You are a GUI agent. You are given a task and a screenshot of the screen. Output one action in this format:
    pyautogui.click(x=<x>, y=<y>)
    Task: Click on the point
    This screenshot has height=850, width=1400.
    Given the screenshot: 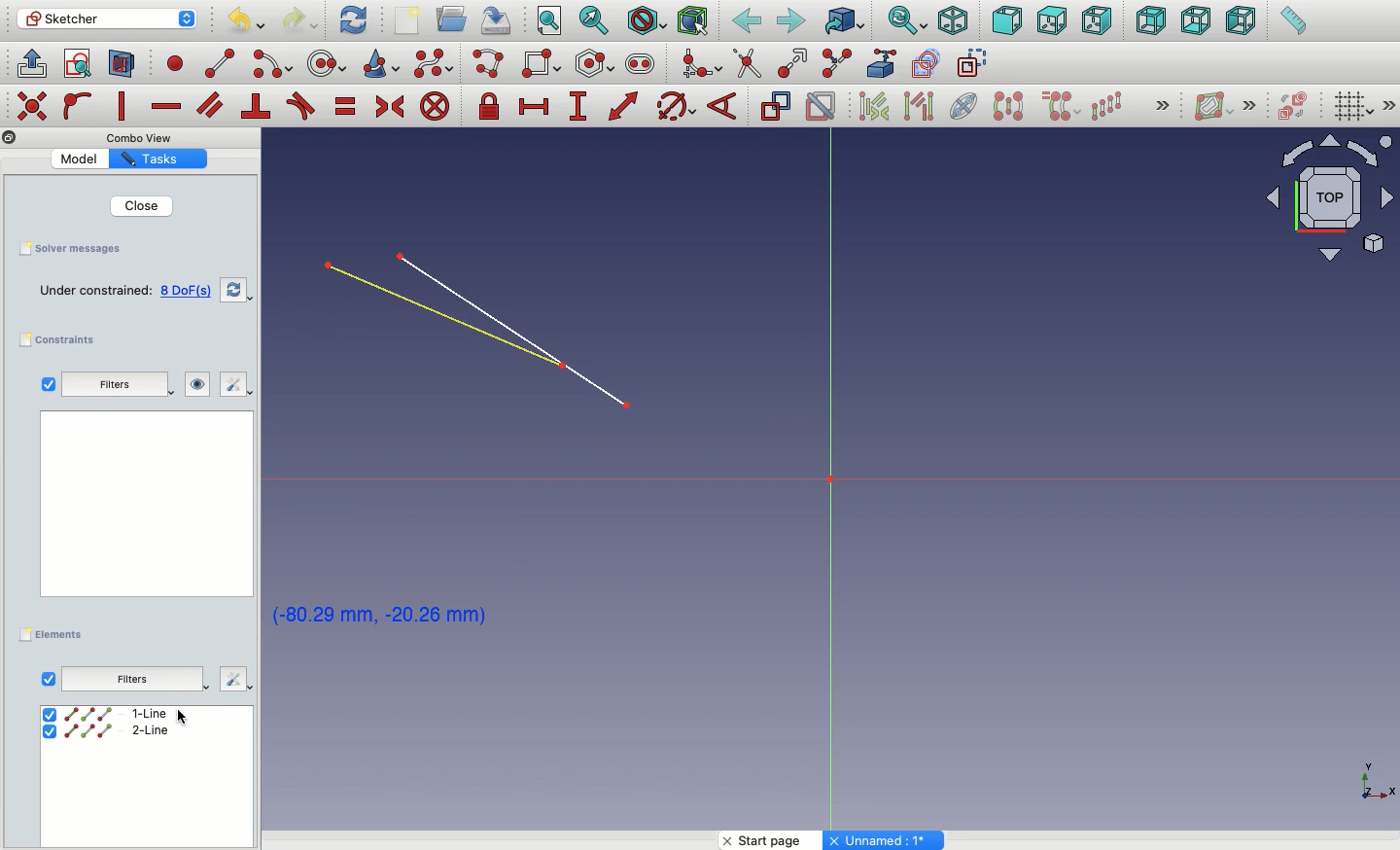 What is the action you would take?
    pyautogui.click(x=177, y=66)
    